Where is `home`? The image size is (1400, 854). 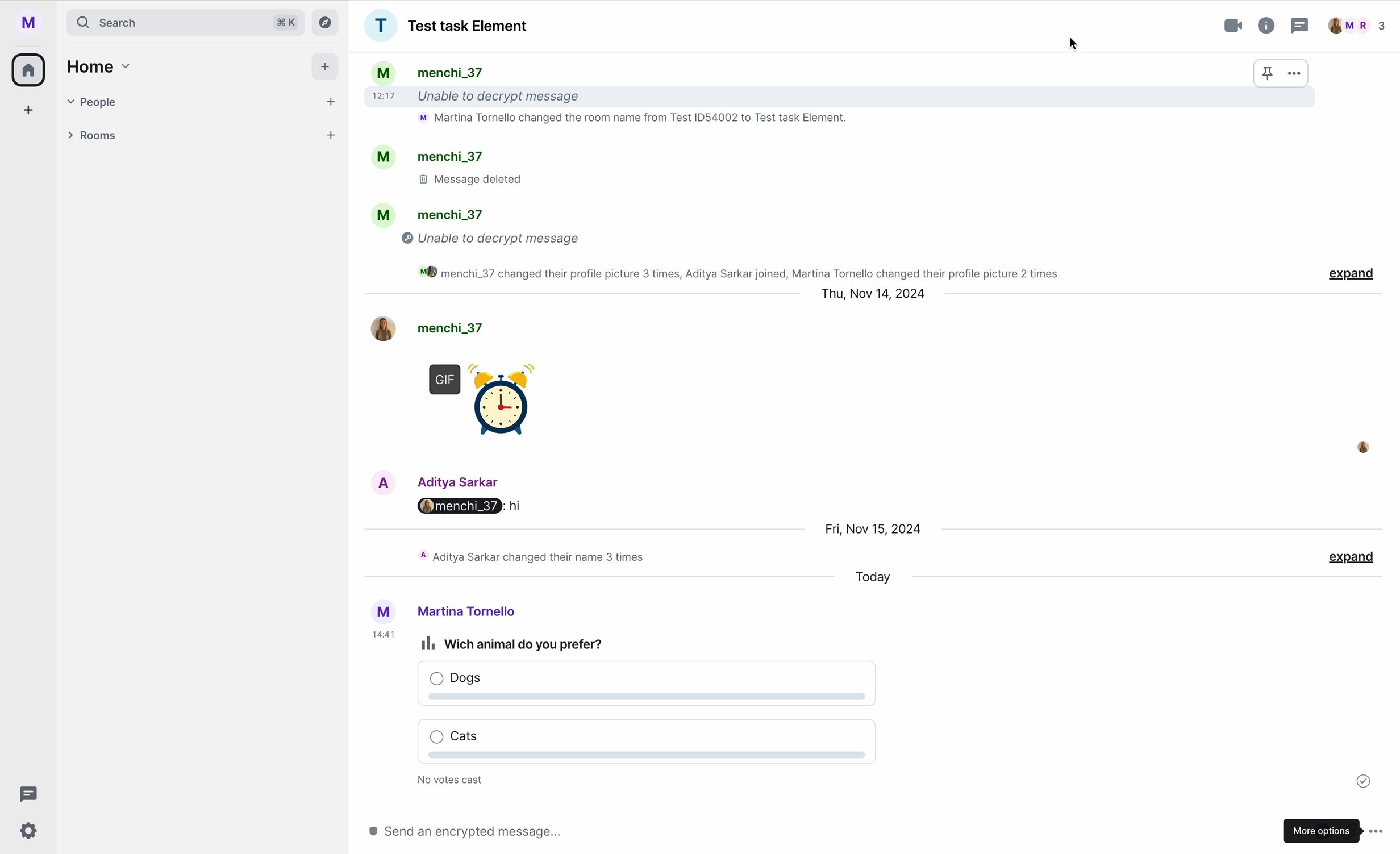
home is located at coordinates (96, 66).